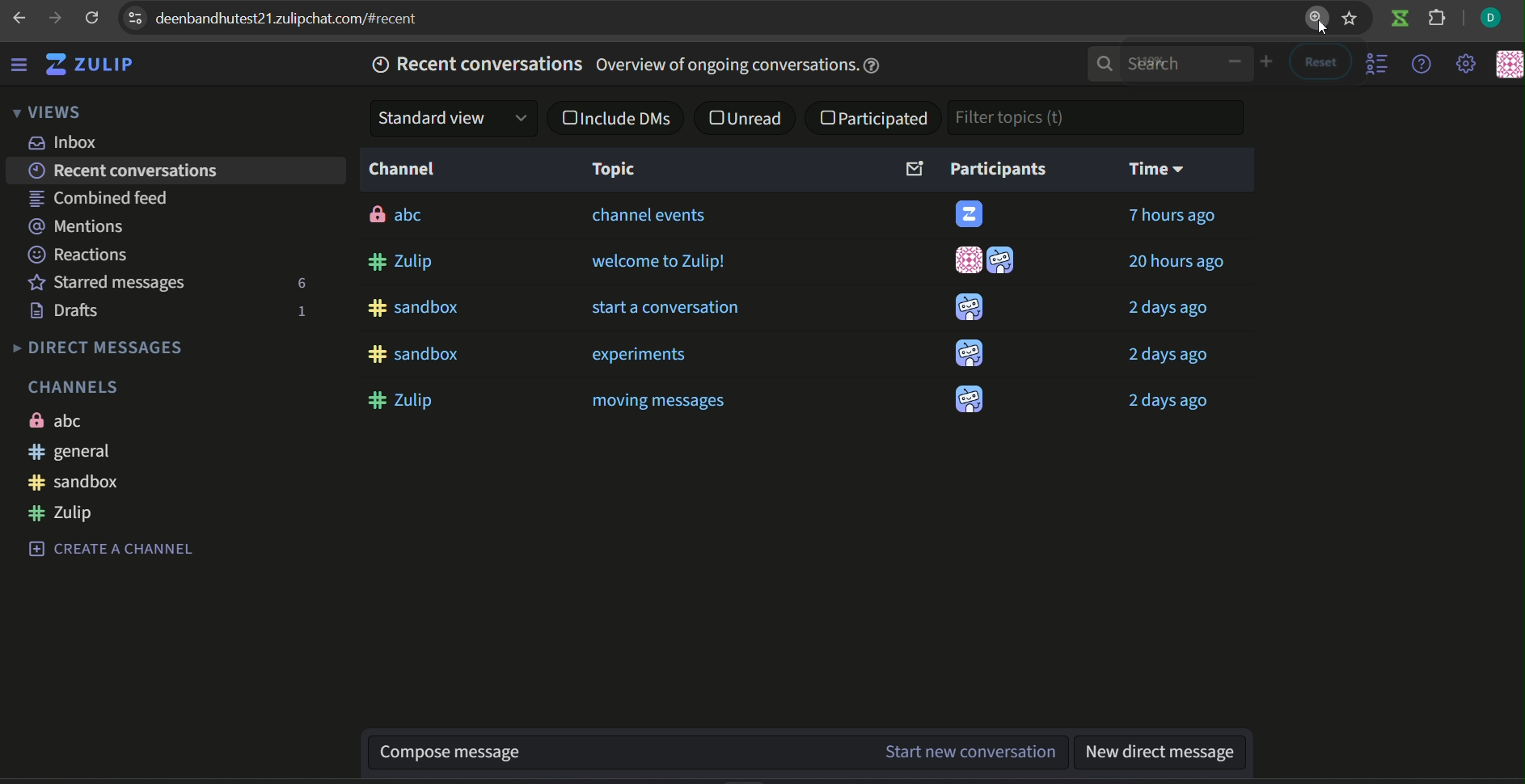 Image resolution: width=1525 pixels, height=784 pixels. What do you see at coordinates (969, 752) in the screenshot?
I see `Start new conversation` at bounding box center [969, 752].